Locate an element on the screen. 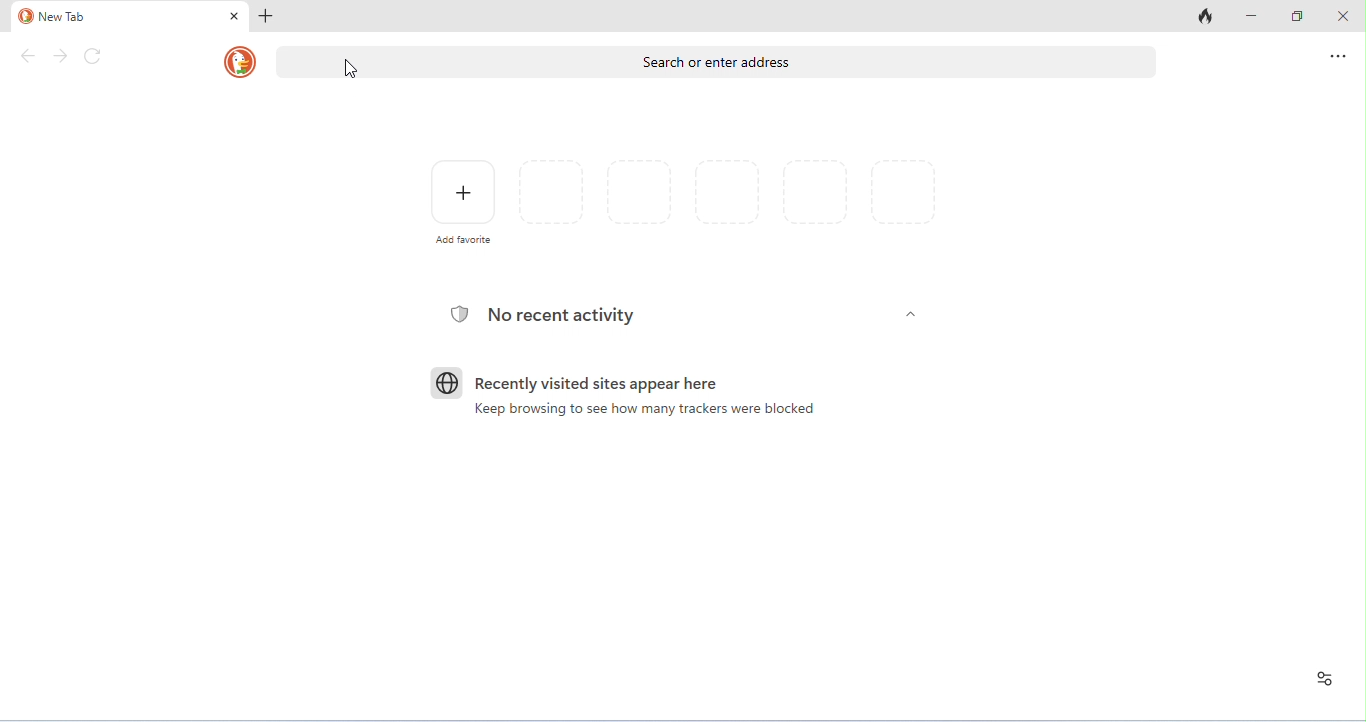  favorites and recently visited pages is located at coordinates (727, 192).